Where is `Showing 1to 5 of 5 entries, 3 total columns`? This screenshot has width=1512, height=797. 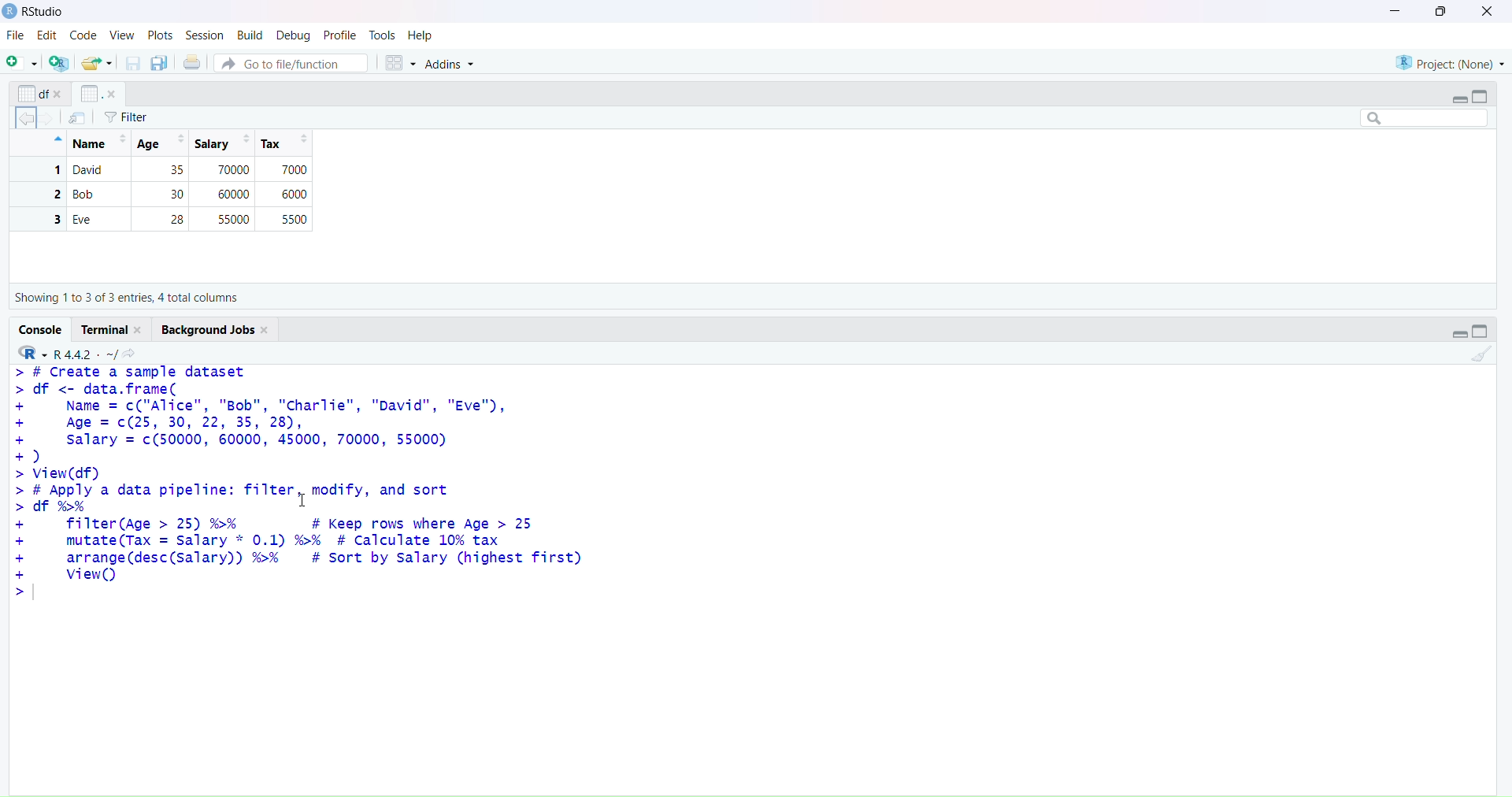 Showing 1to 5 of 5 entries, 3 total columns is located at coordinates (127, 299).